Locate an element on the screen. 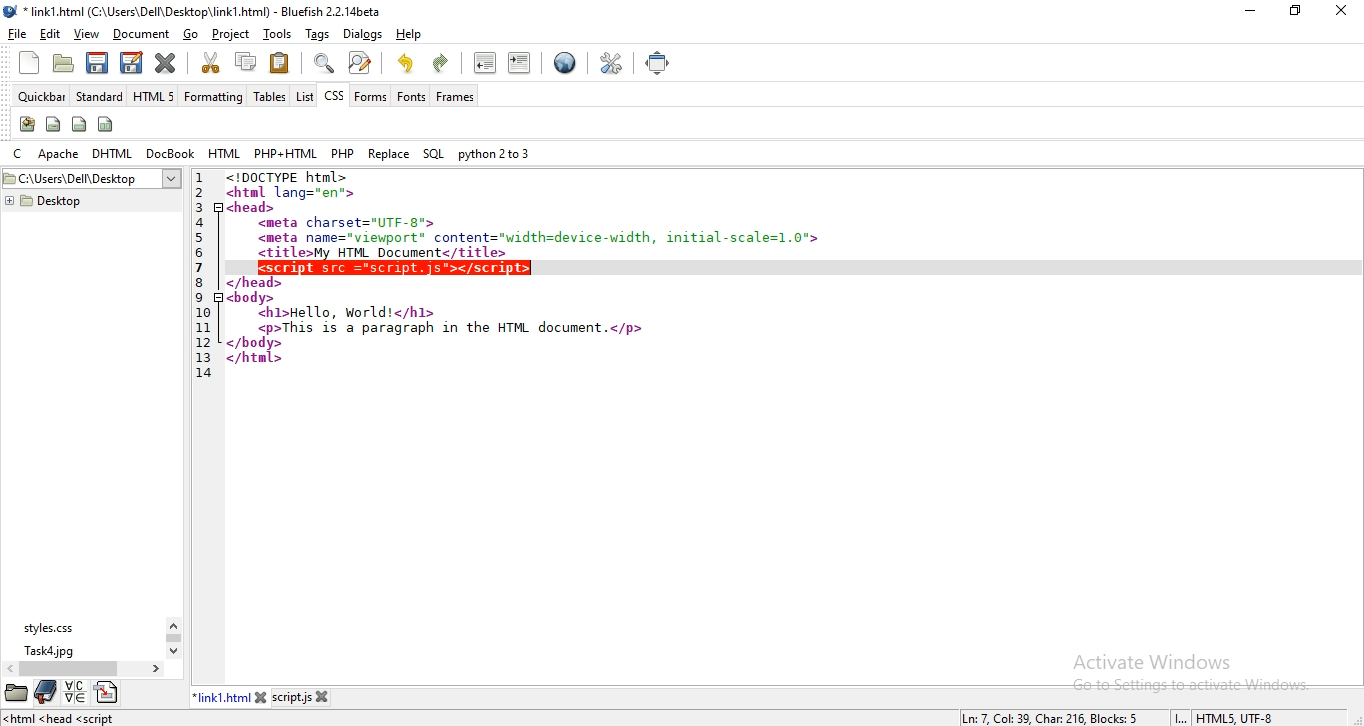  standard is located at coordinates (99, 95).